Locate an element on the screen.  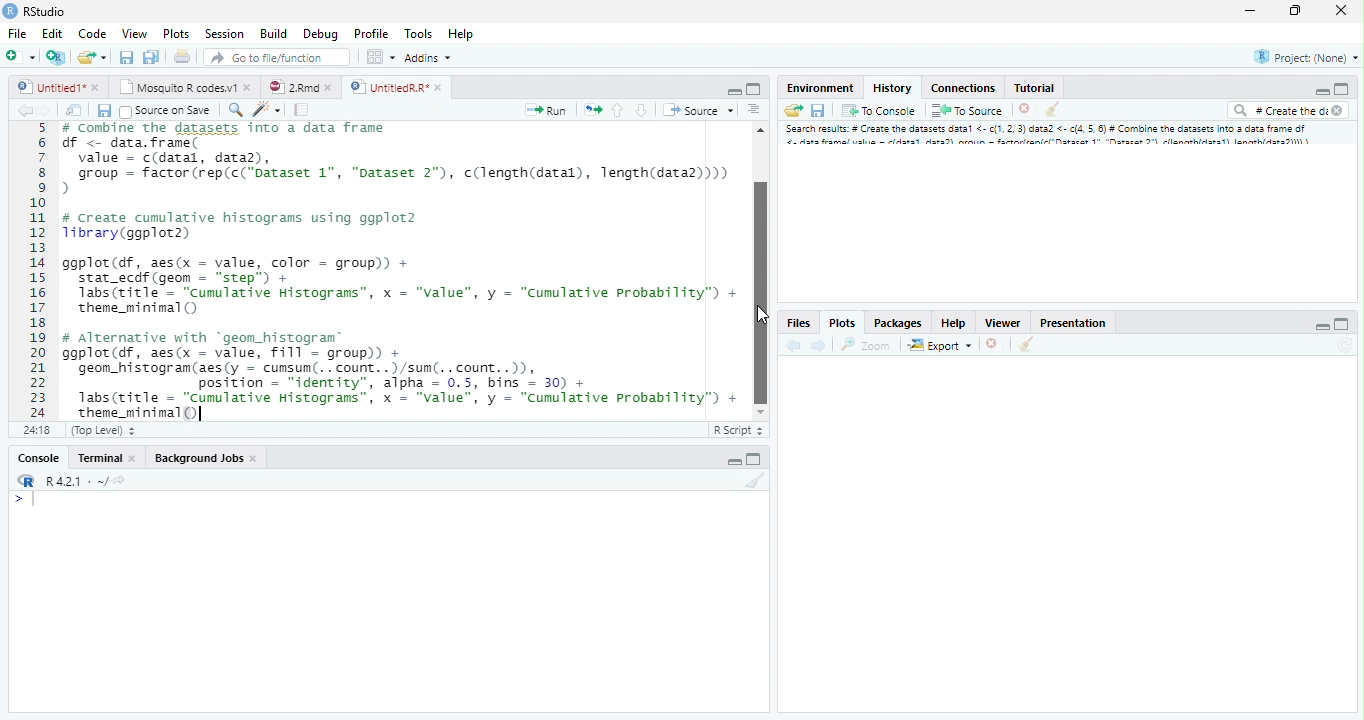
Pages is located at coordinates (593, 112).